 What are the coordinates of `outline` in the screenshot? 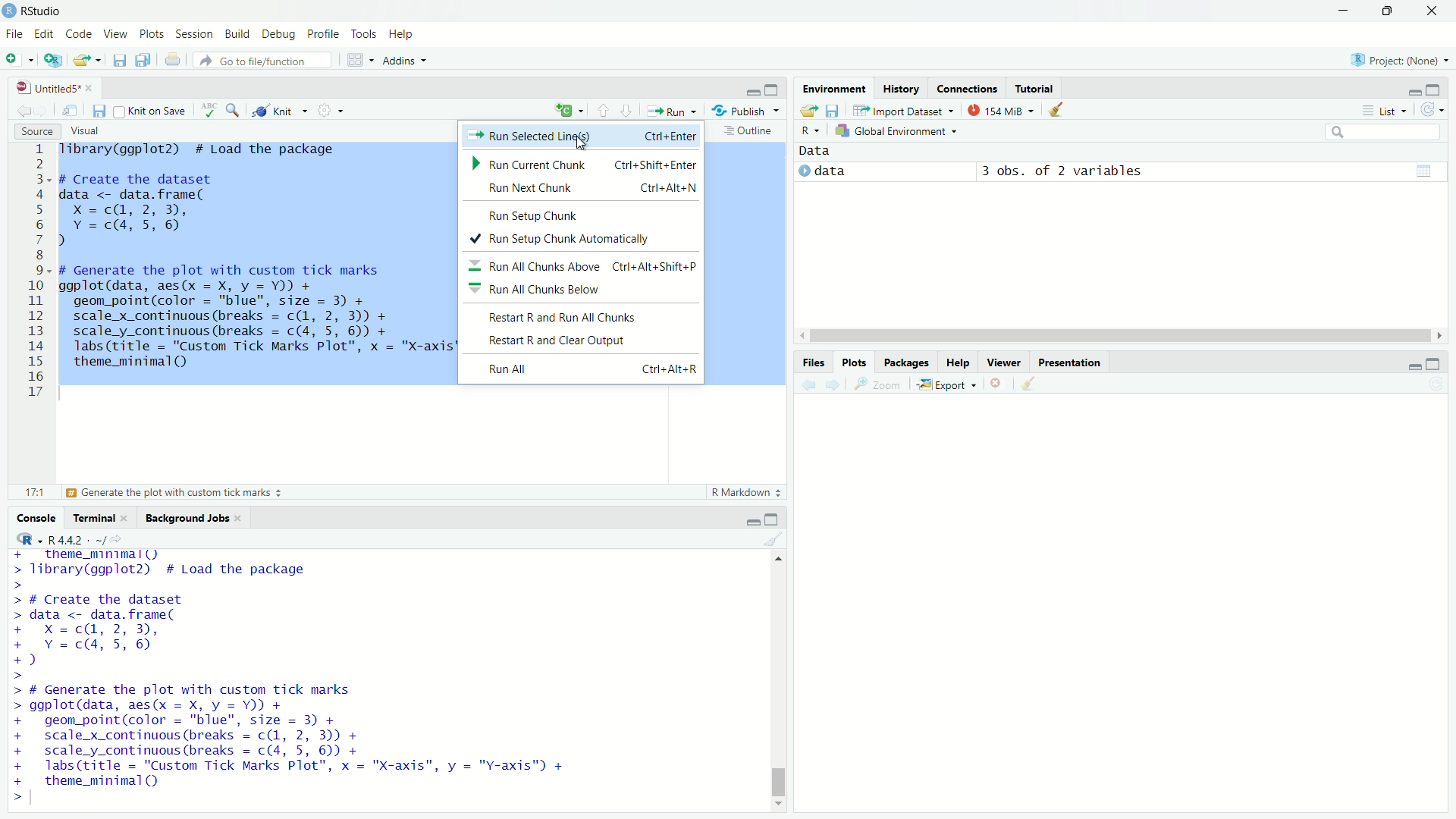 It's located at (751, 132).